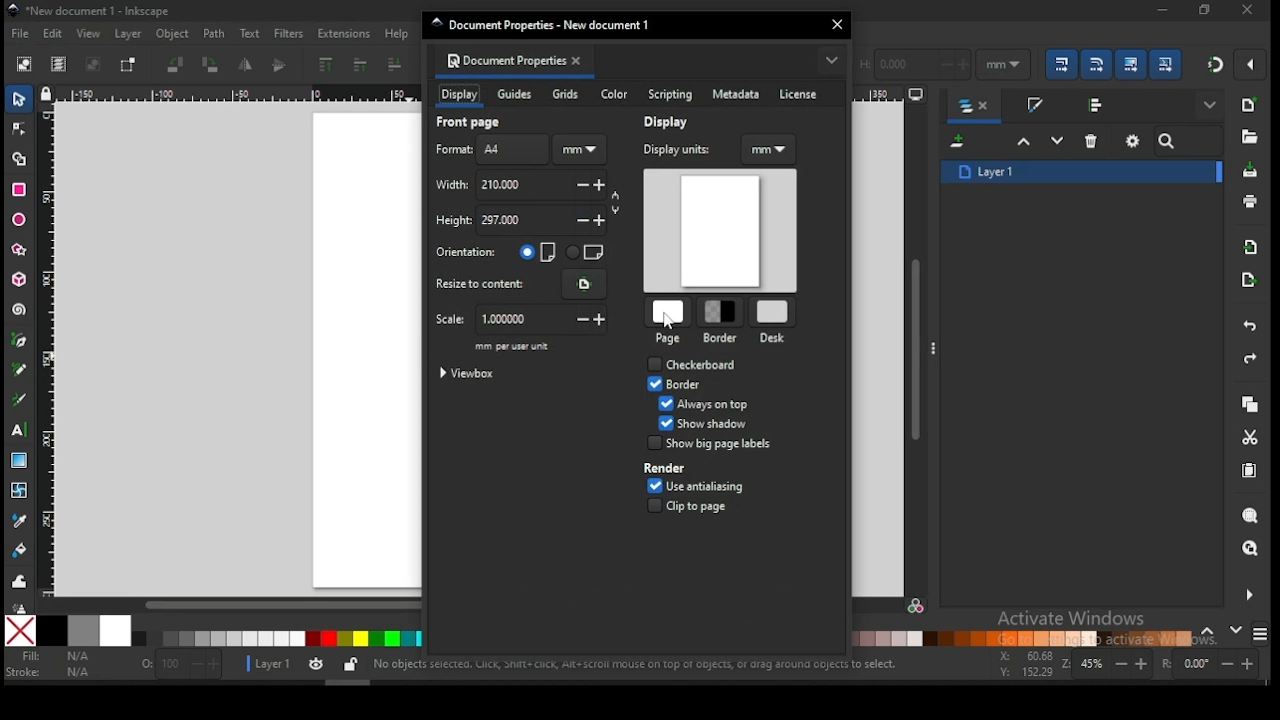 Image resolution: width=1280 pixels, height=720 pixels. I want to click on clip to page, so click(694, 506).